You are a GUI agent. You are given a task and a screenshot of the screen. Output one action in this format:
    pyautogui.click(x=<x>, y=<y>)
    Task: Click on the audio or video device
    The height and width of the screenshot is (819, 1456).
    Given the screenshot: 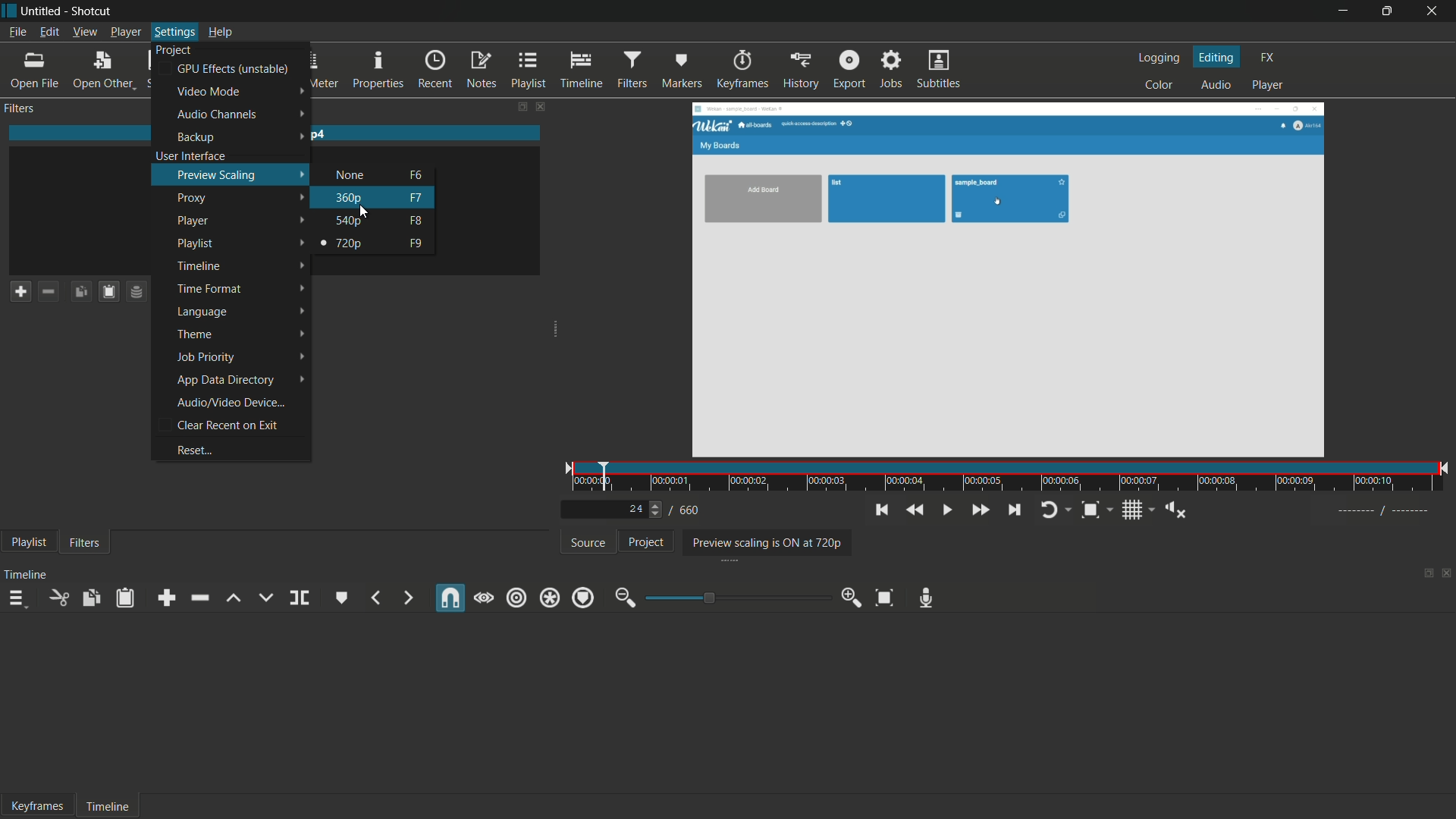 What is the action you would take?
    pyautogui.click(x=231, y=403)
    